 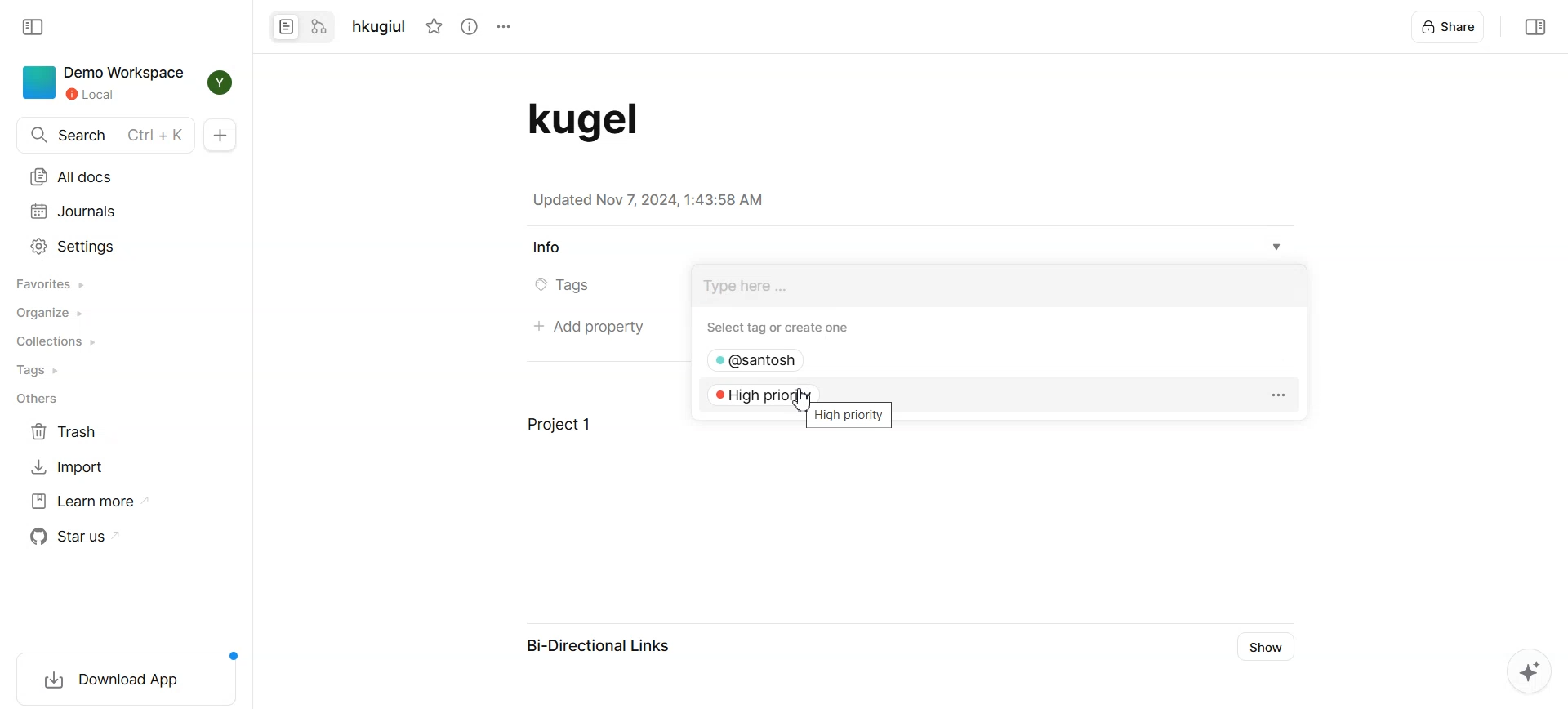 What do you see at coordinates (83, 536) in the screenshot?
I see `Star us` at bounding box center [83, 536].